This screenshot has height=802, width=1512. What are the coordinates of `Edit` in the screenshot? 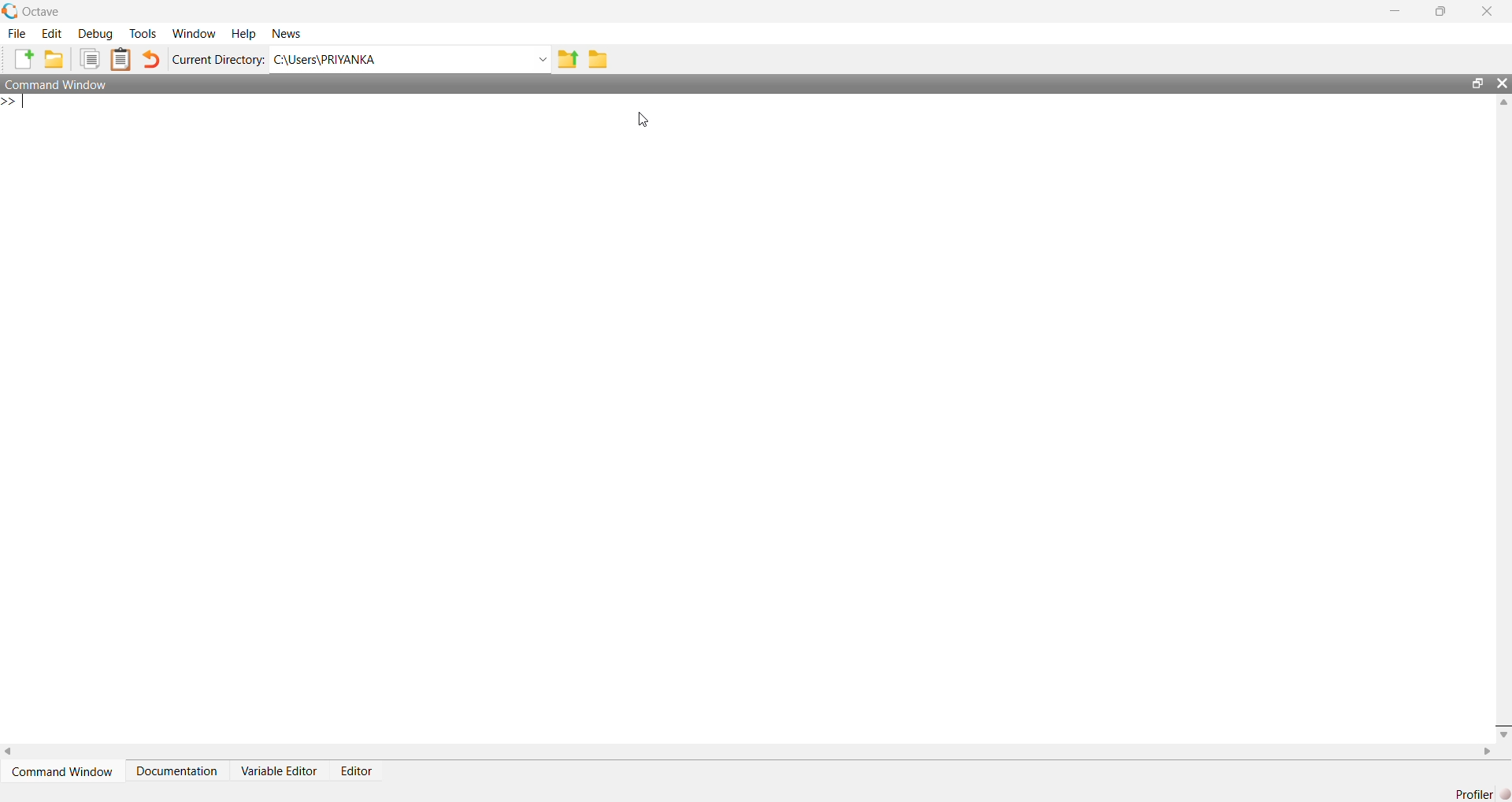 It's located at (53, 33).